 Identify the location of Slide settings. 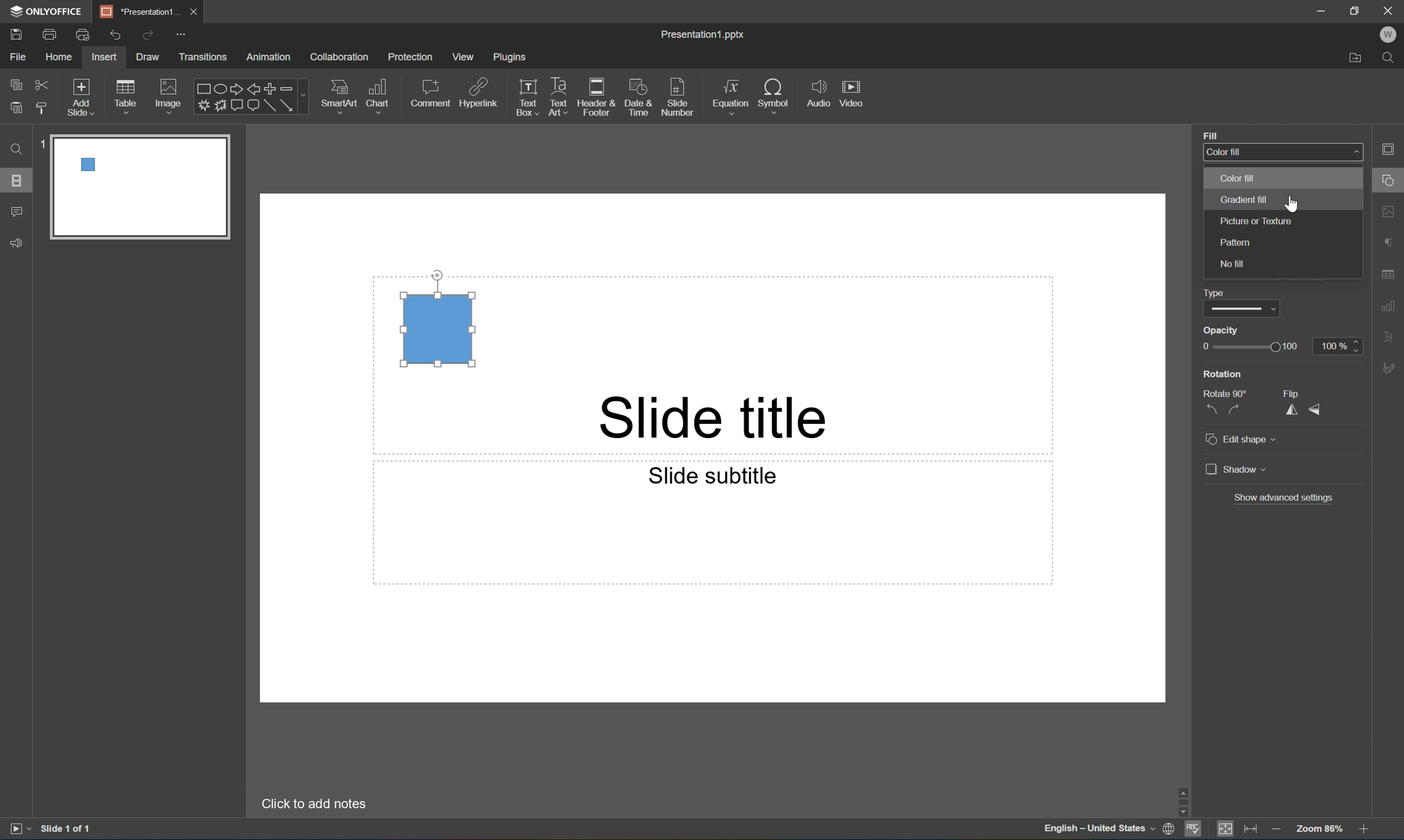
(1393, 148).